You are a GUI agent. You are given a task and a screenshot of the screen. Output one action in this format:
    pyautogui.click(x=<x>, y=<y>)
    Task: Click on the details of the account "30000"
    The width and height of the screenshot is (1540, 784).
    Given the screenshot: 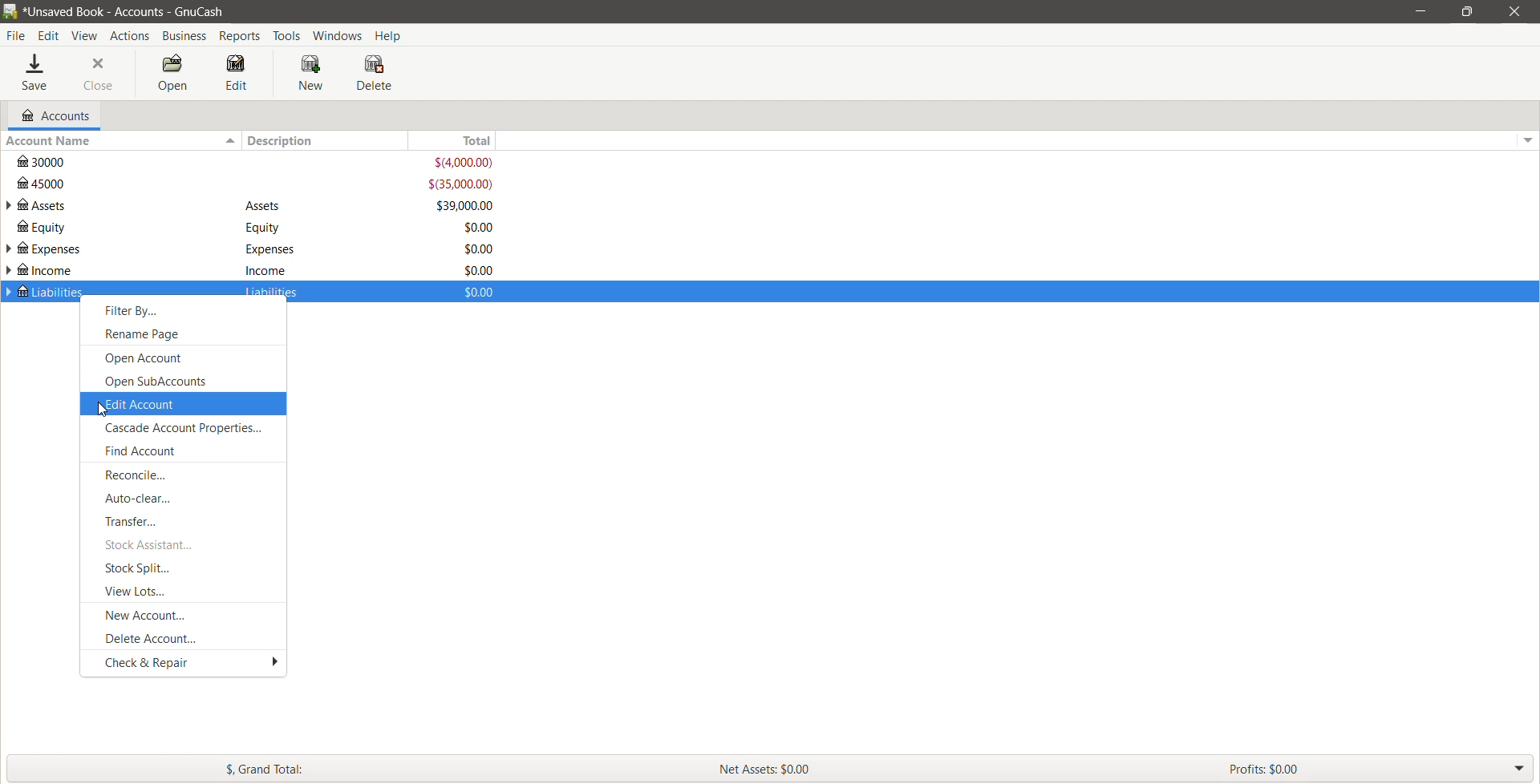 What is the action you would take?
    pyautogui.click(x=258, y=163)
    